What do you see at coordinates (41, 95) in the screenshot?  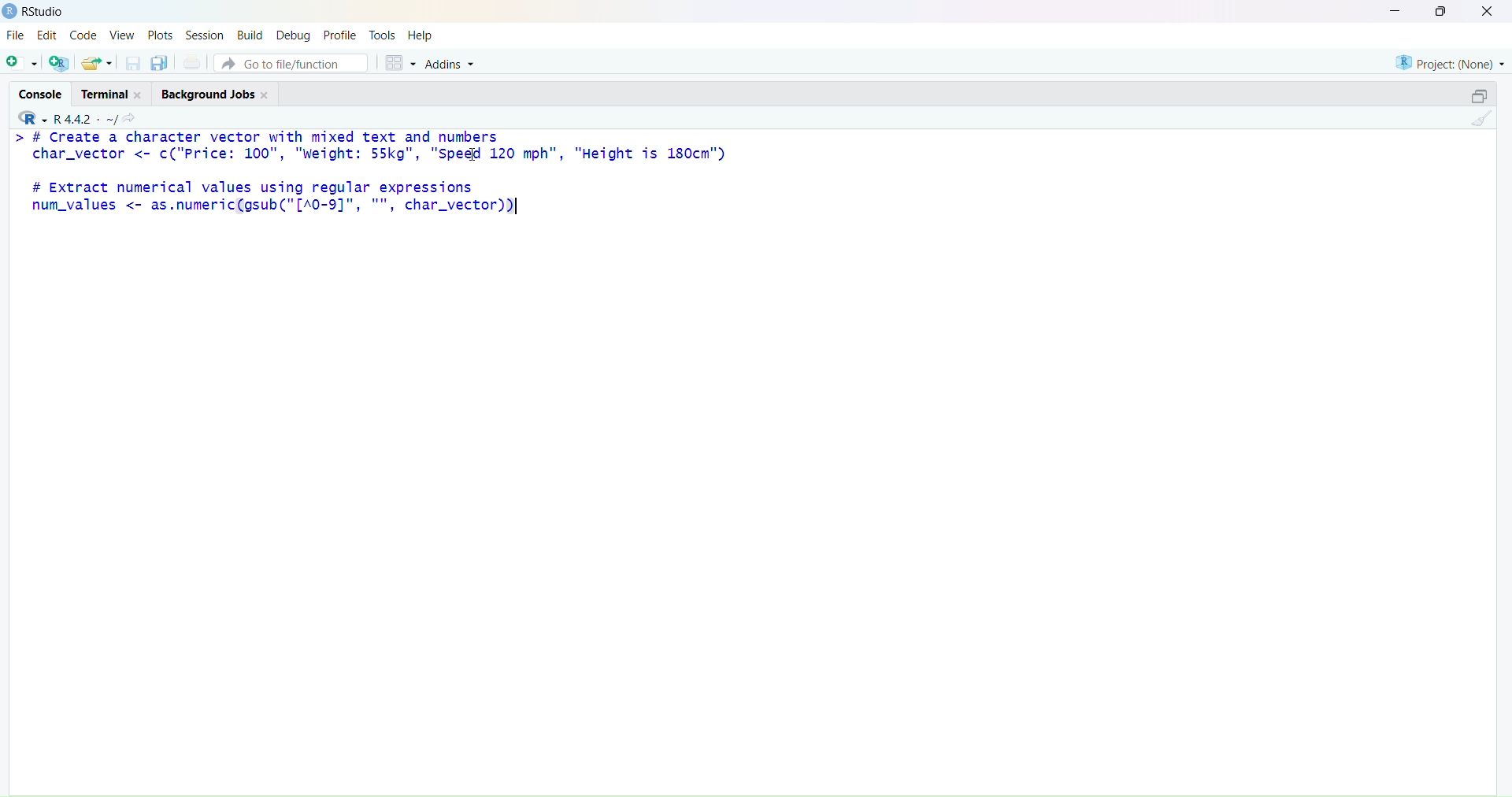 I see `cosole` at bounding box center [41, 95].